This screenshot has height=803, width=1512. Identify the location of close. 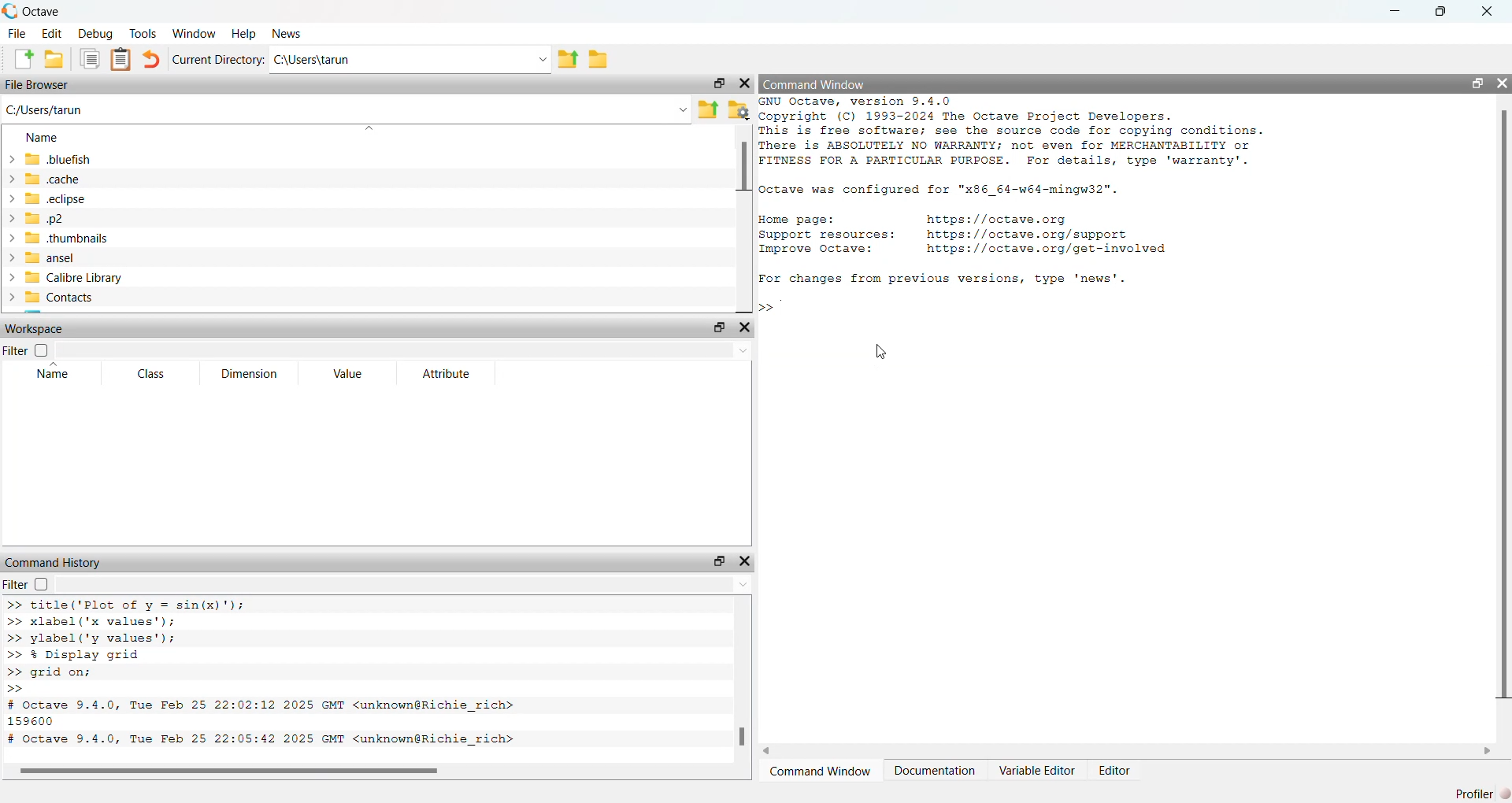
(1488, 12).